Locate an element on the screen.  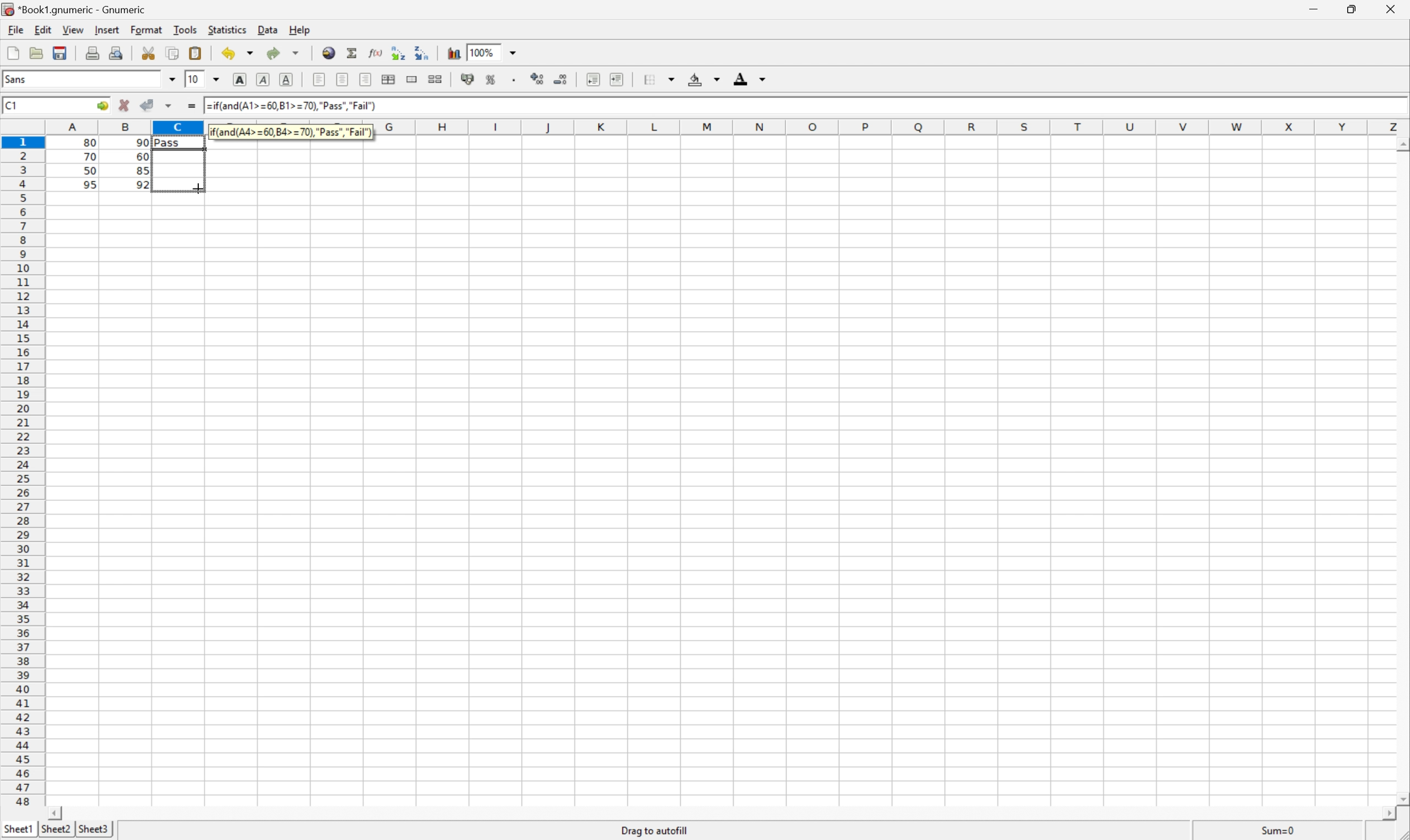
Go to... is located at coordinates (103, 106).